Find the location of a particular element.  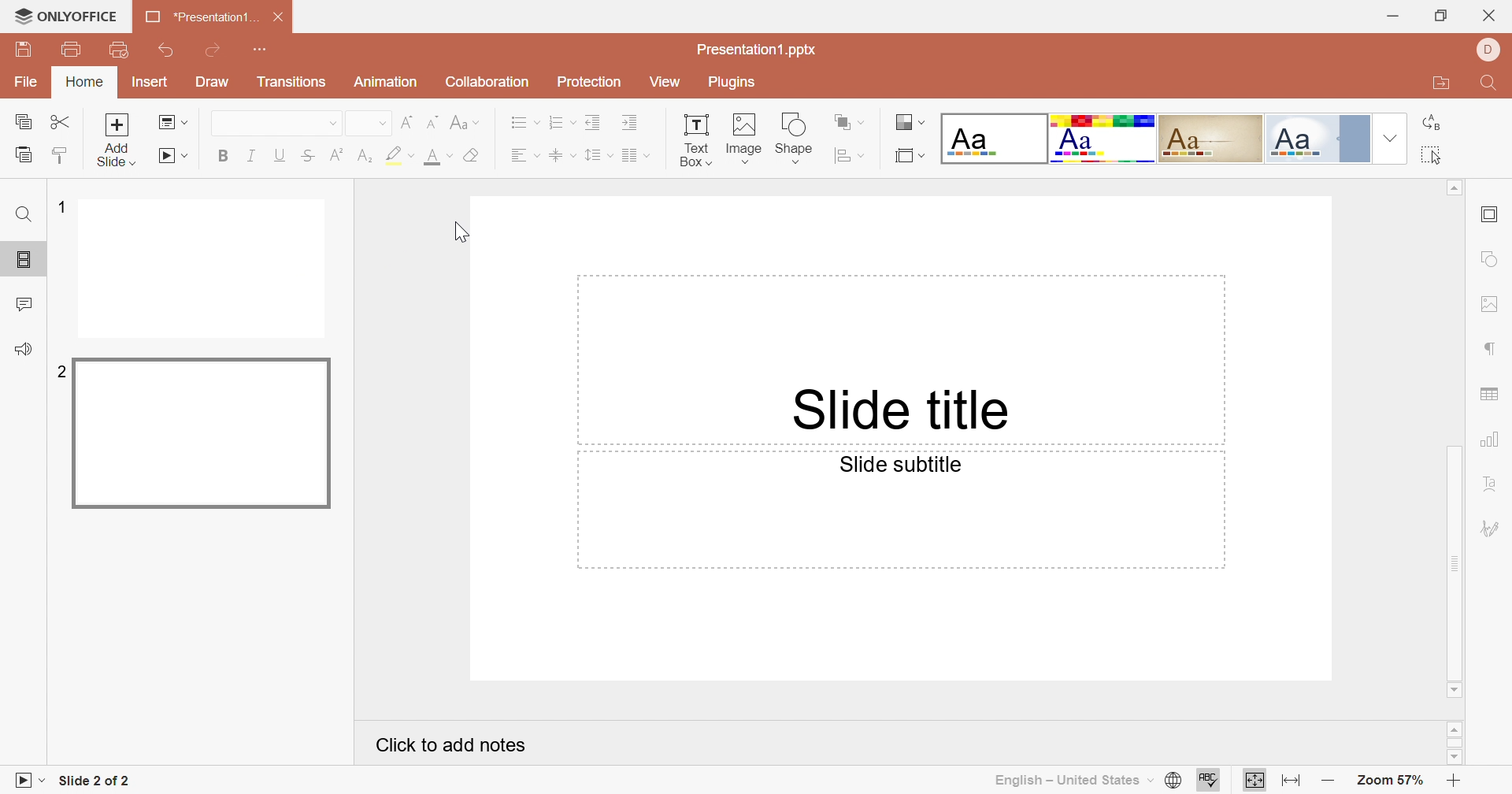

Zoom out is located at coordinates (1329, 777).